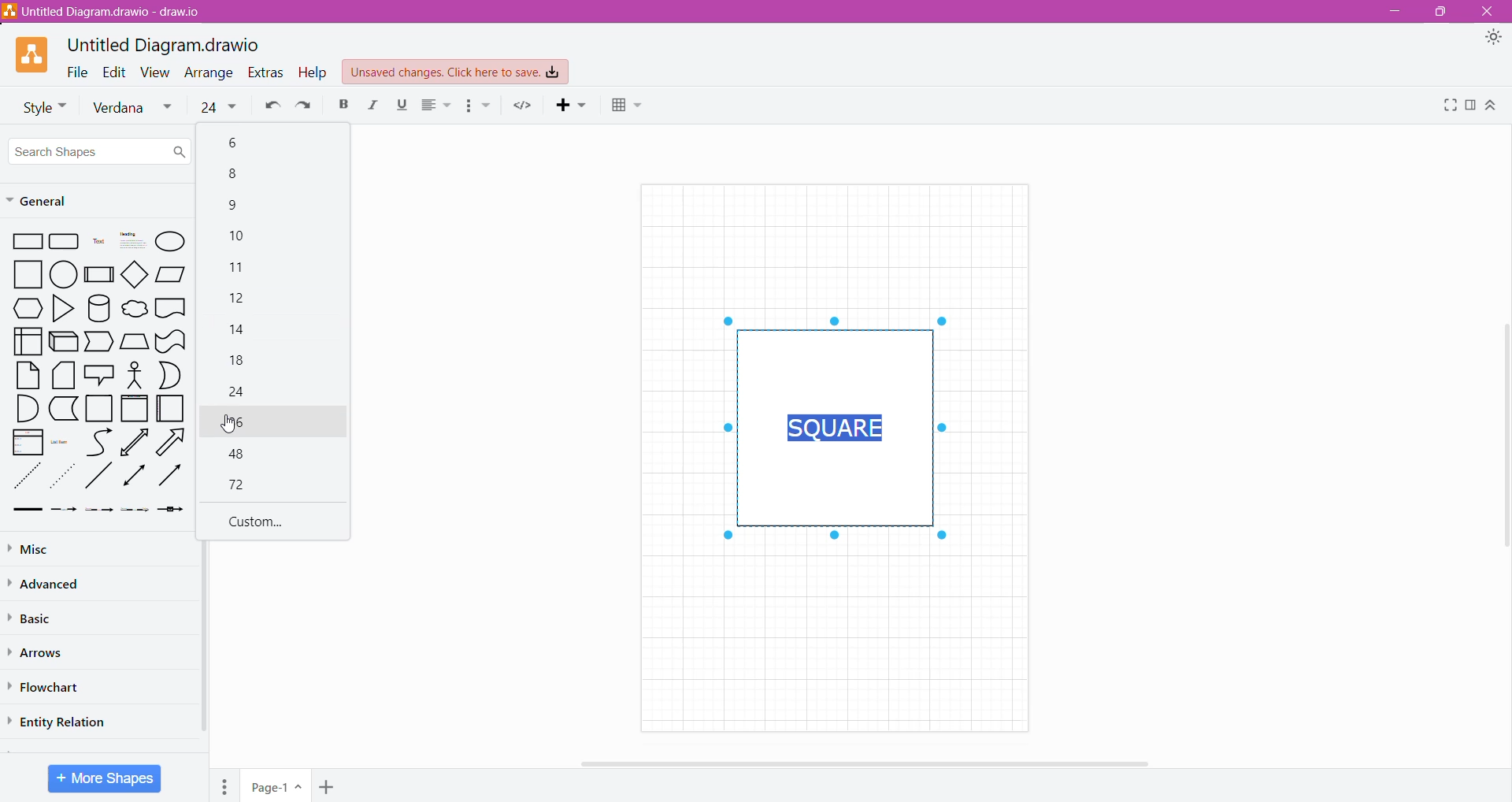  What do you see at coordinates (1490, 12) in the screenshot?
I see `Close` at bounding box center [1490, 12].